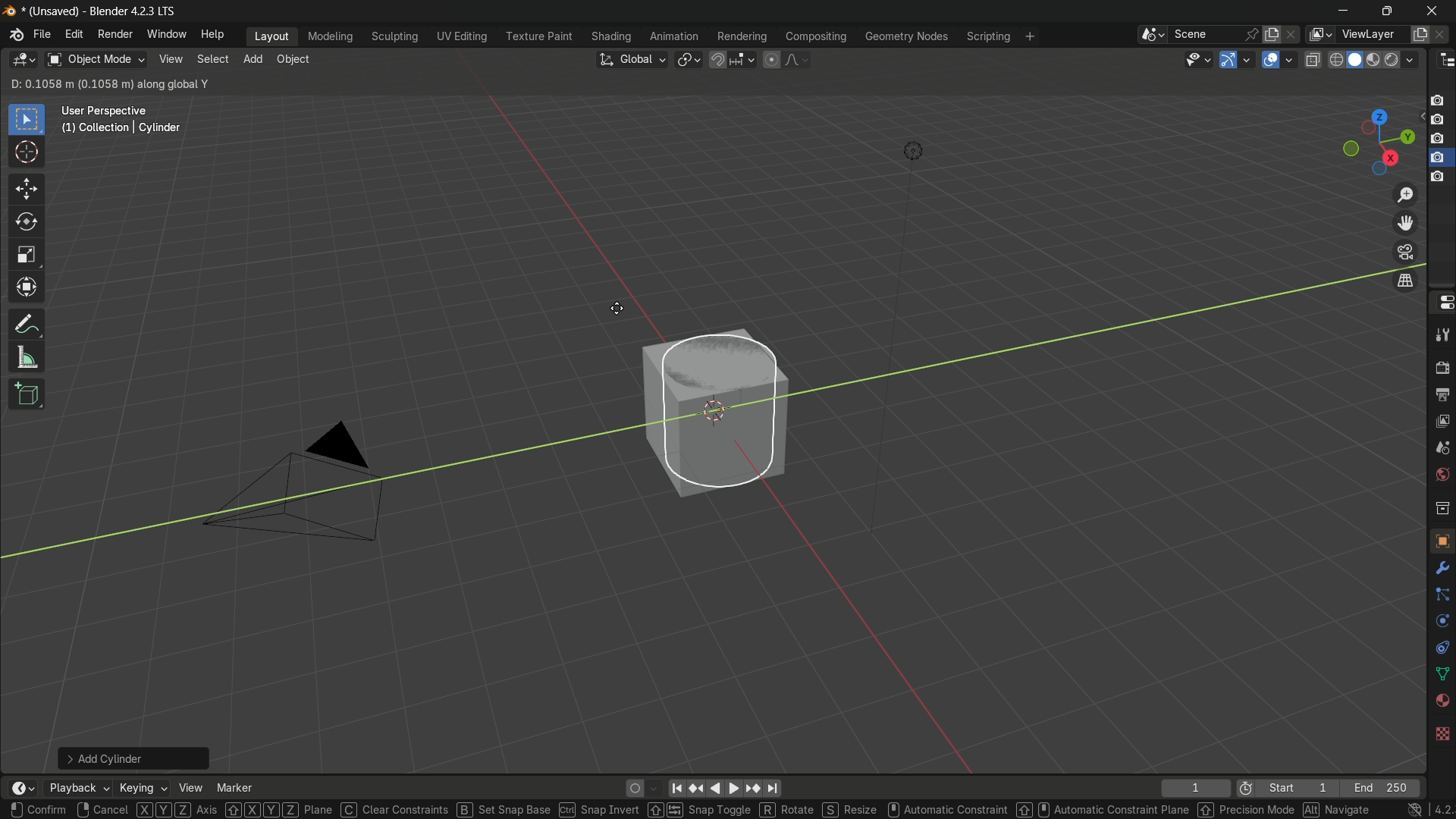  What do you see at coordinates (908, 154) in the screenshot?
I see `light` at bounding box center [908, 154].